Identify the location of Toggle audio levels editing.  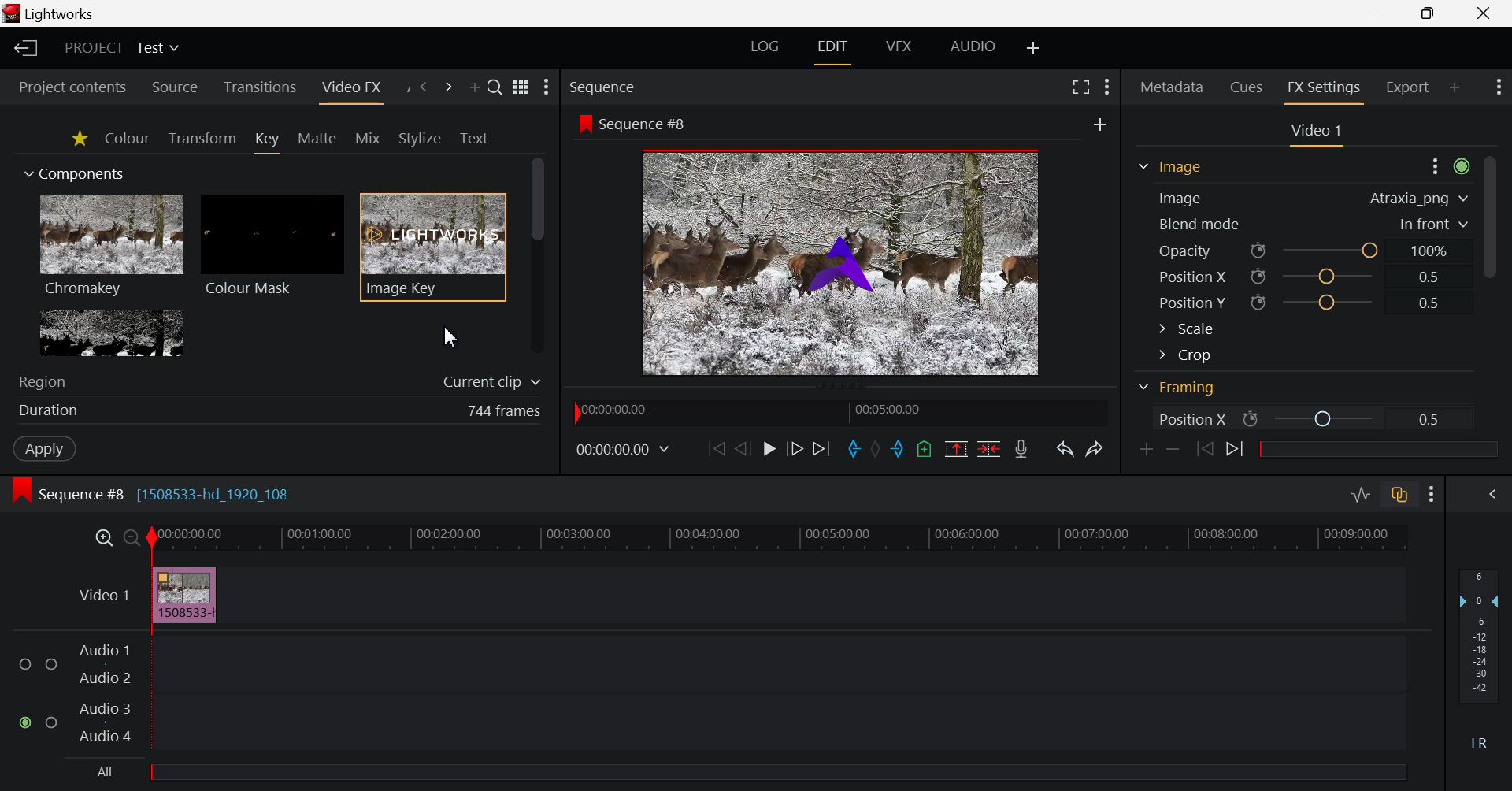
(1360, 496).